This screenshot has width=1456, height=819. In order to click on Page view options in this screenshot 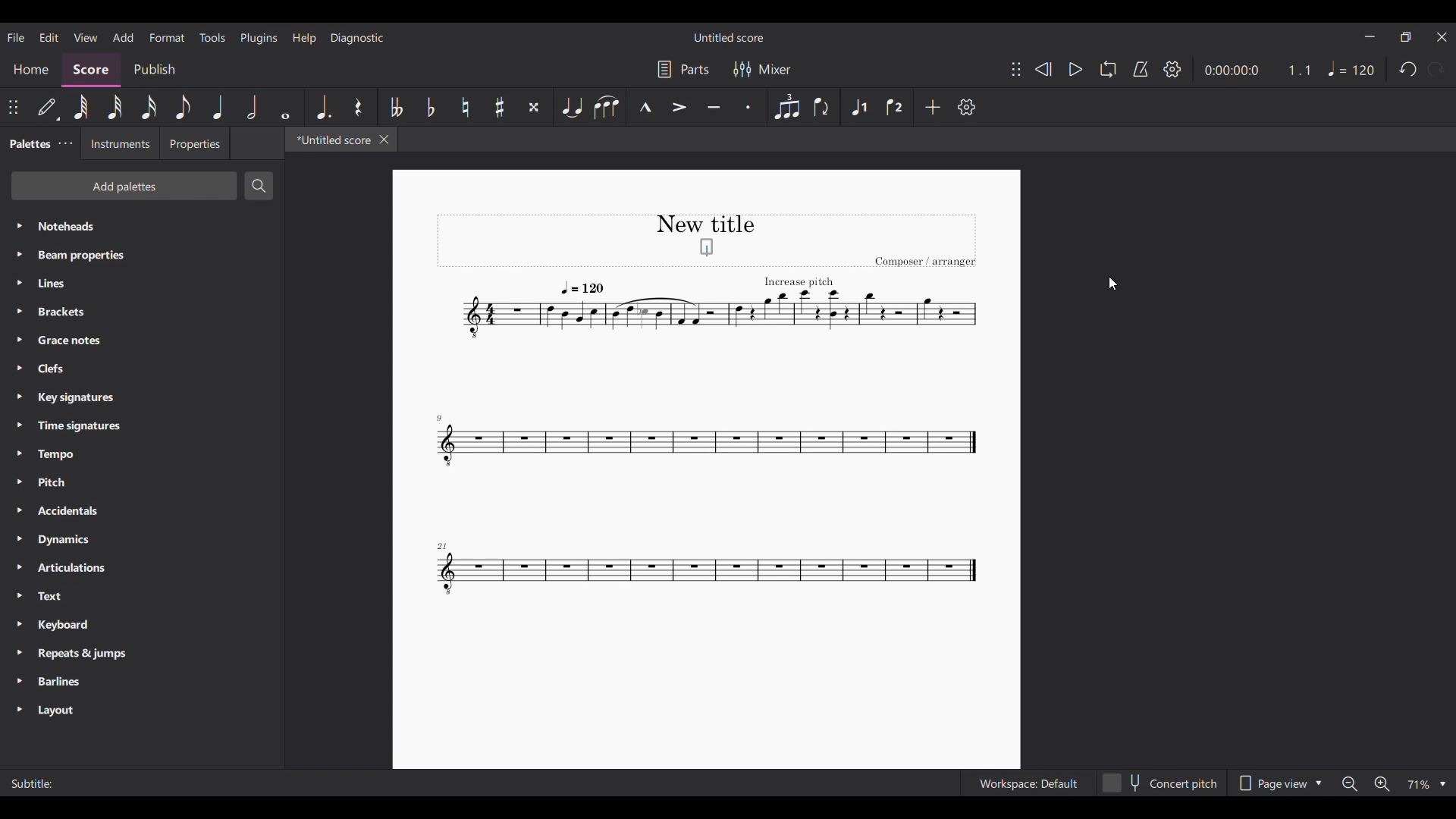, I will do `click(1277, 783)`.